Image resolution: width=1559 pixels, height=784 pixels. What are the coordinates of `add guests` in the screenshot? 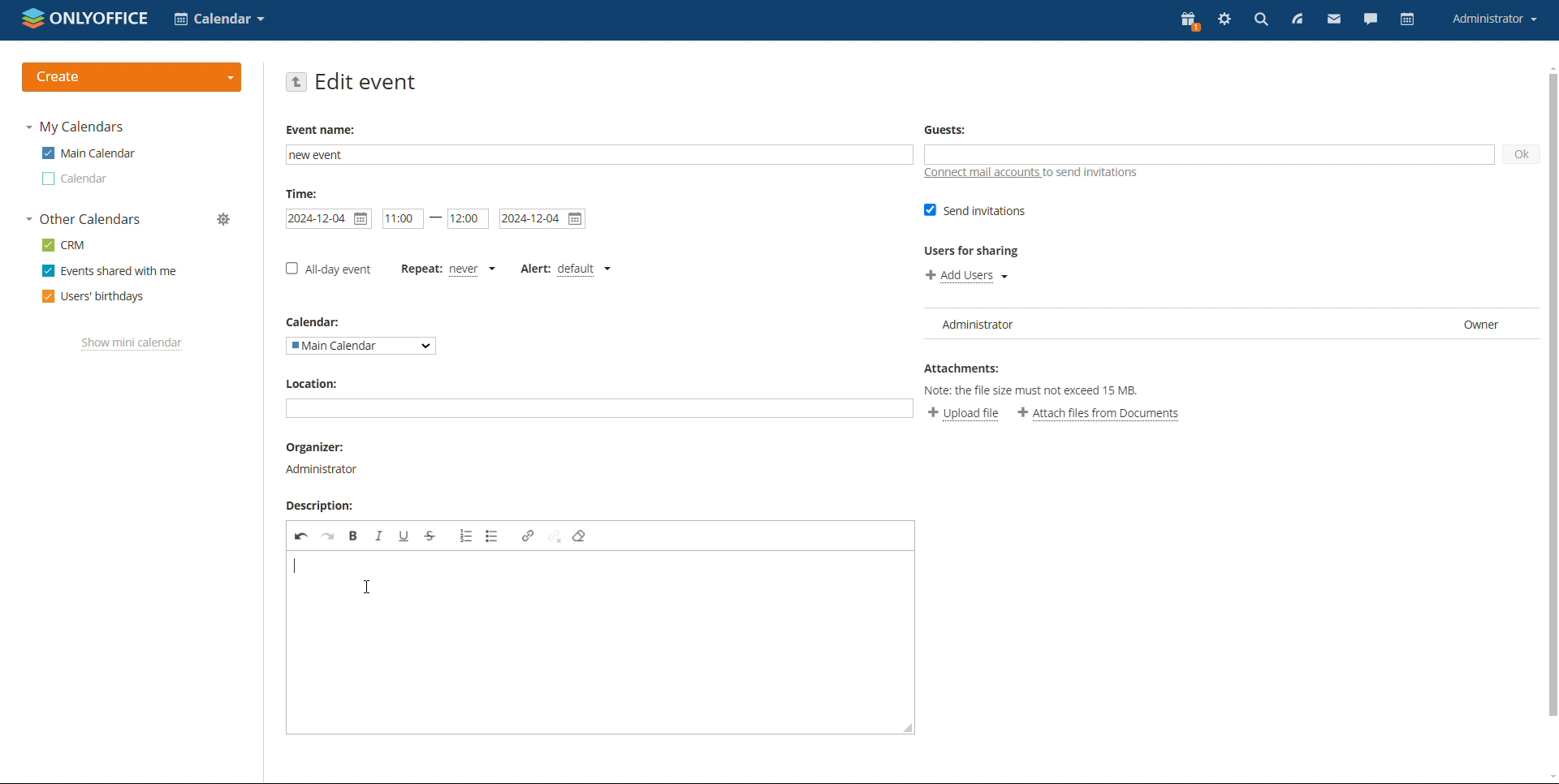 It's located at (1207, 154).